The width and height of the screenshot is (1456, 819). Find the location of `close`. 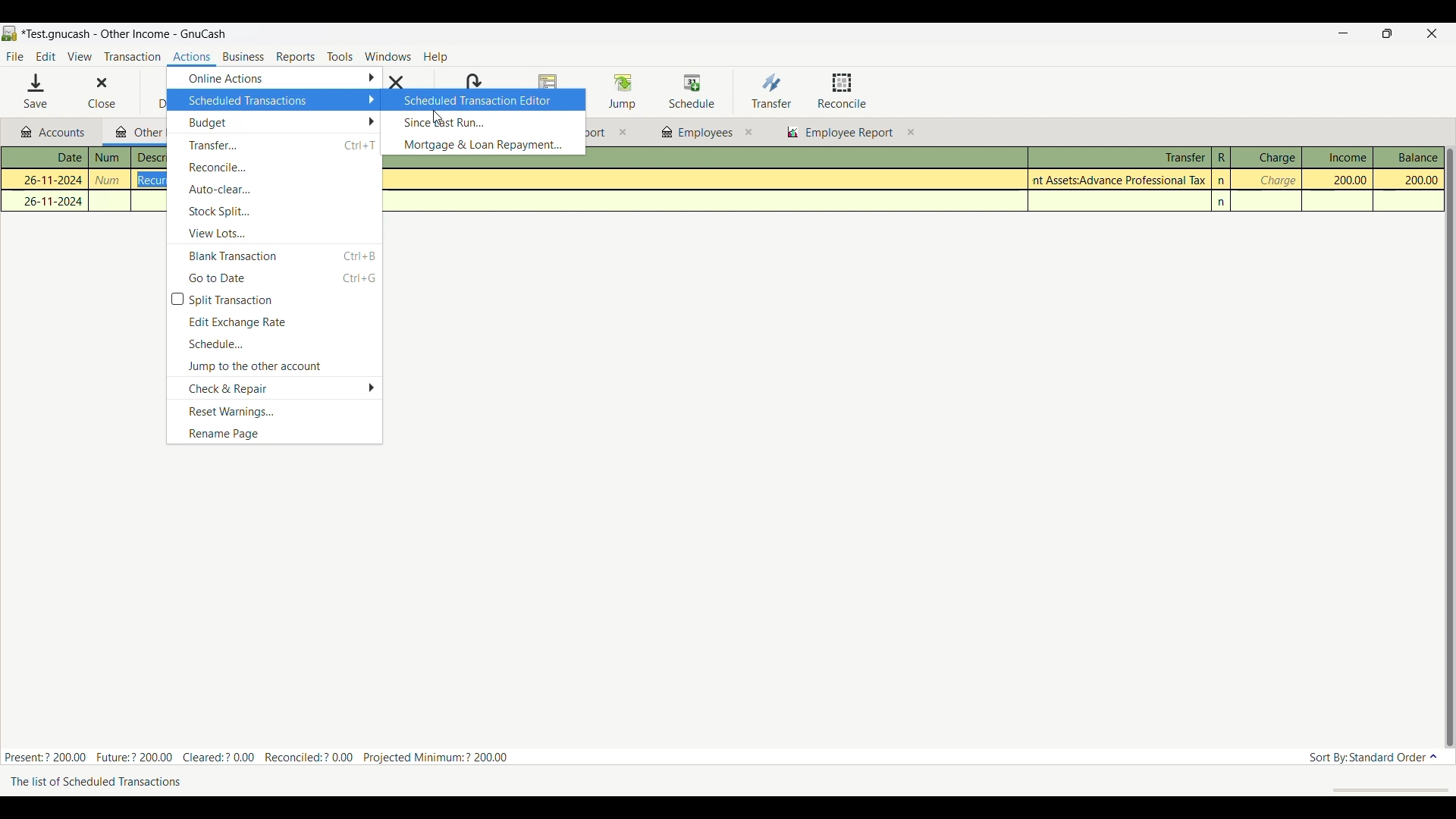

close is located at coordinates (748, 132).